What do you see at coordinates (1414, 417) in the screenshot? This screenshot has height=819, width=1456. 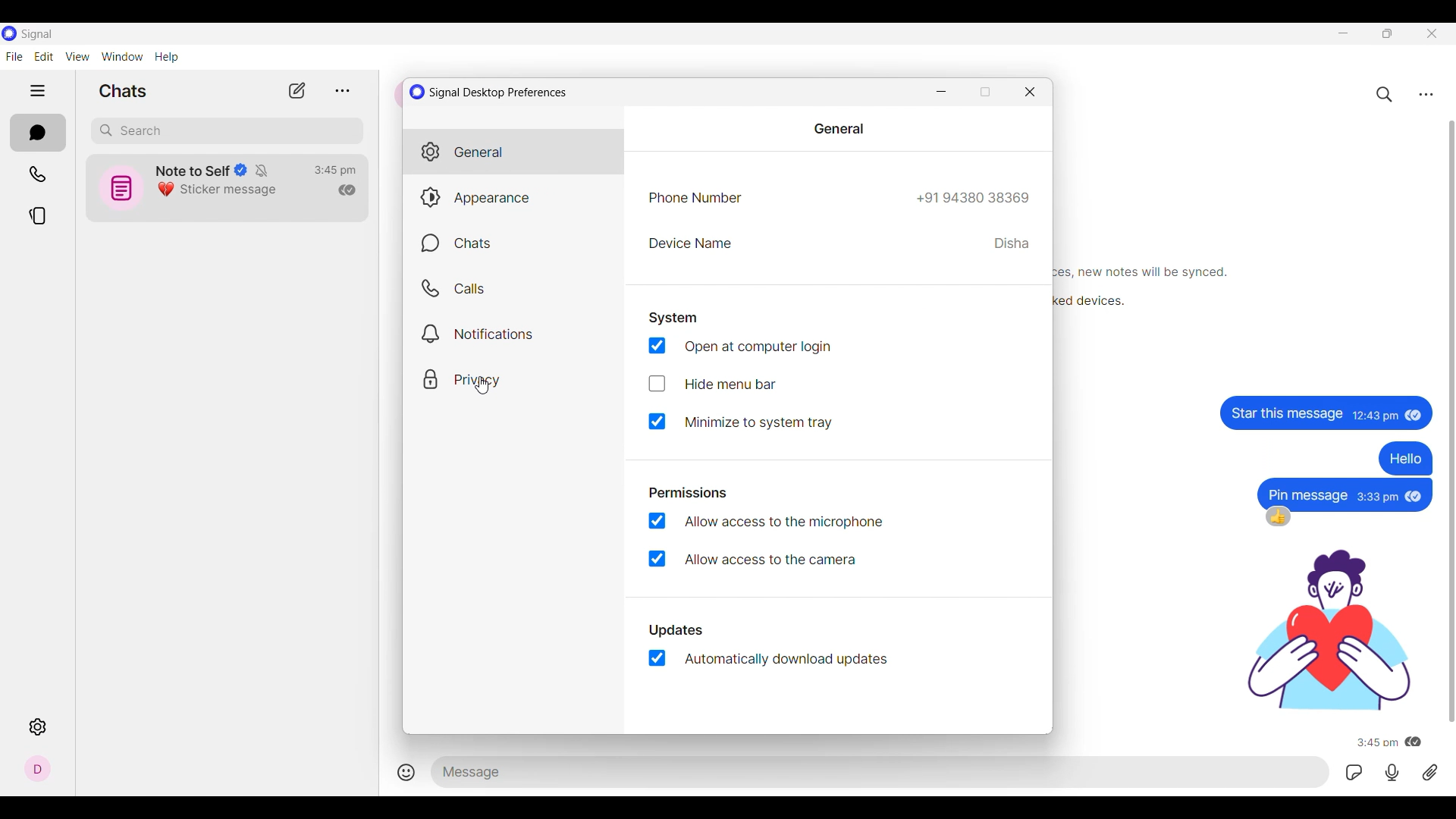 I see `Indicates message has been read` at bounding box center [1414, 417].